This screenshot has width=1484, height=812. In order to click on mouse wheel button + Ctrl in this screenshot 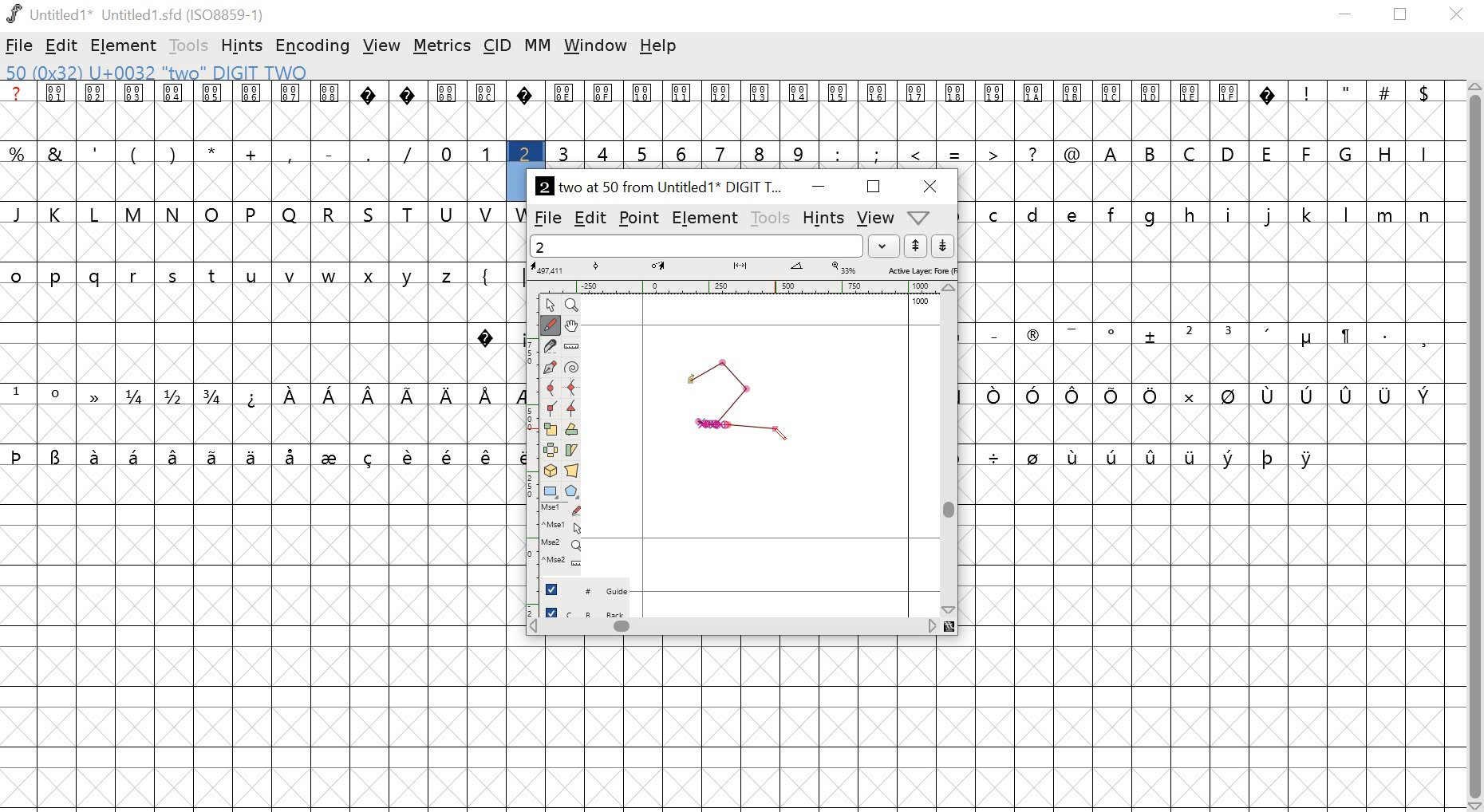, I will do `click(563, 565)`.